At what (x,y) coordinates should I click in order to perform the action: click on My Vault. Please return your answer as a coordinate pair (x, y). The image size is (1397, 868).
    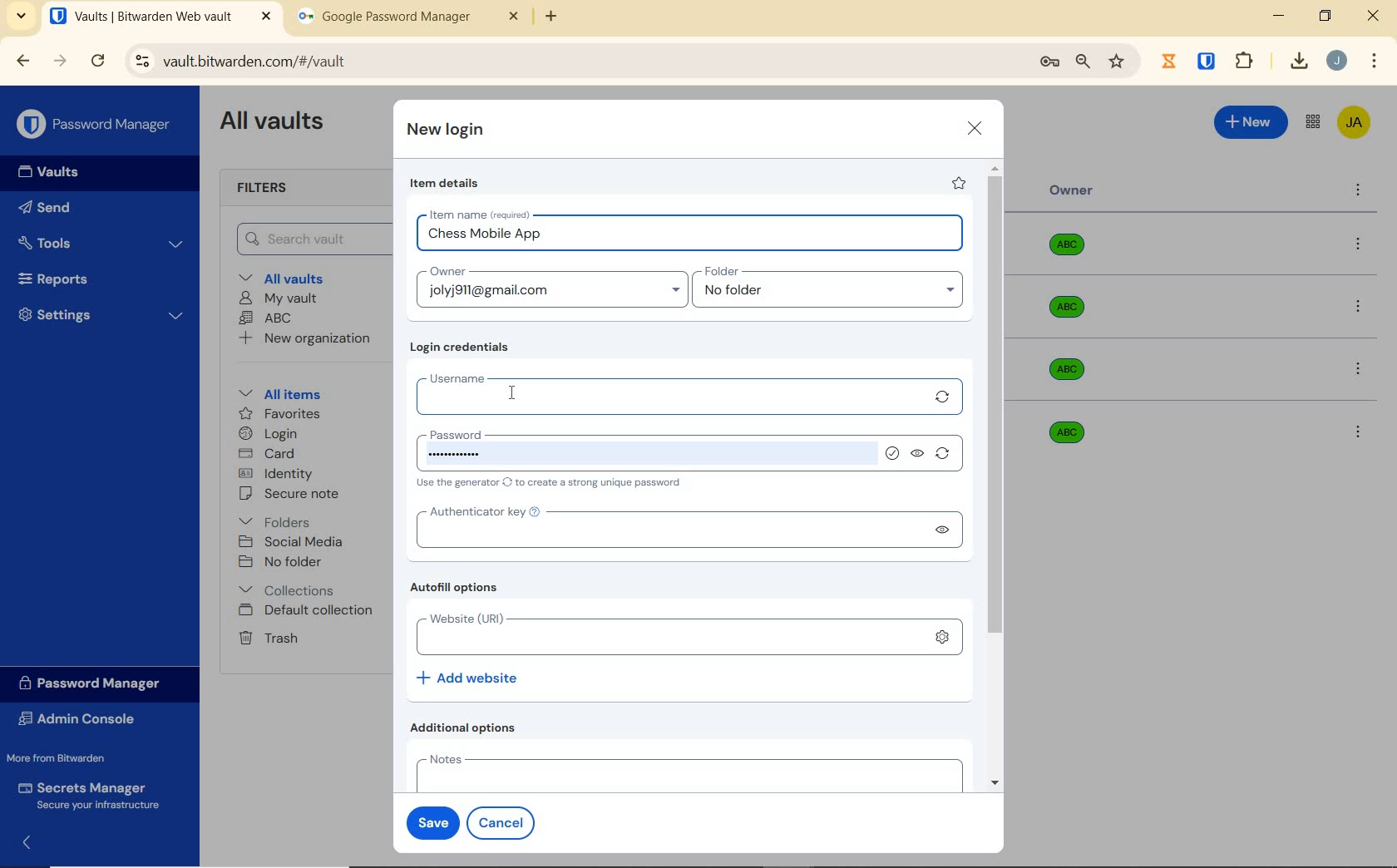
    Looking at the image, I should click on (279, 298).